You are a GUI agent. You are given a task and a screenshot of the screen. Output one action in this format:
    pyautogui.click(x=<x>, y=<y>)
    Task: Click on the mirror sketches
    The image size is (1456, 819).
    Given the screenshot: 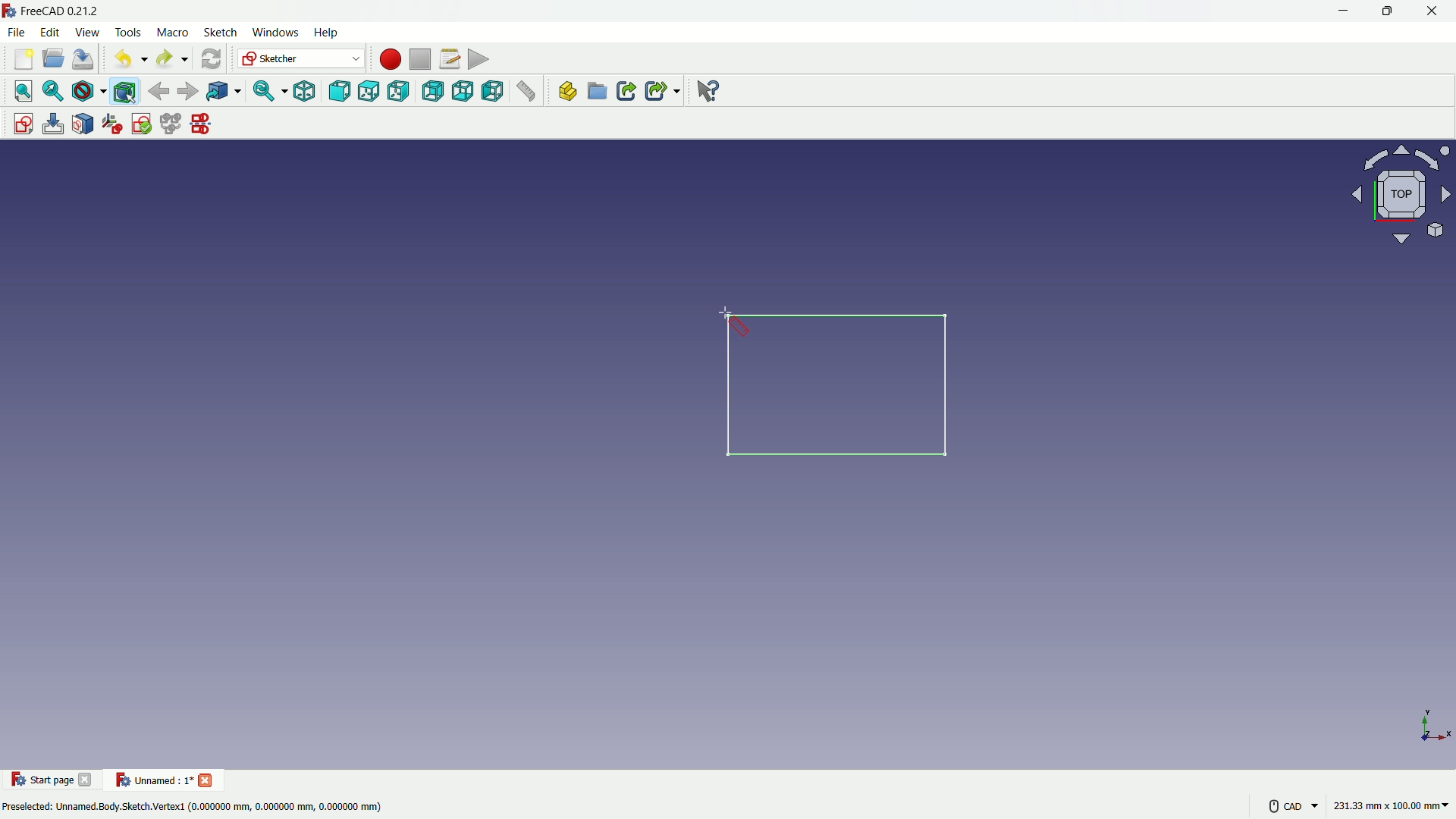 What is the action you would take?
    pyautogui.click(x=200, y=125)
    